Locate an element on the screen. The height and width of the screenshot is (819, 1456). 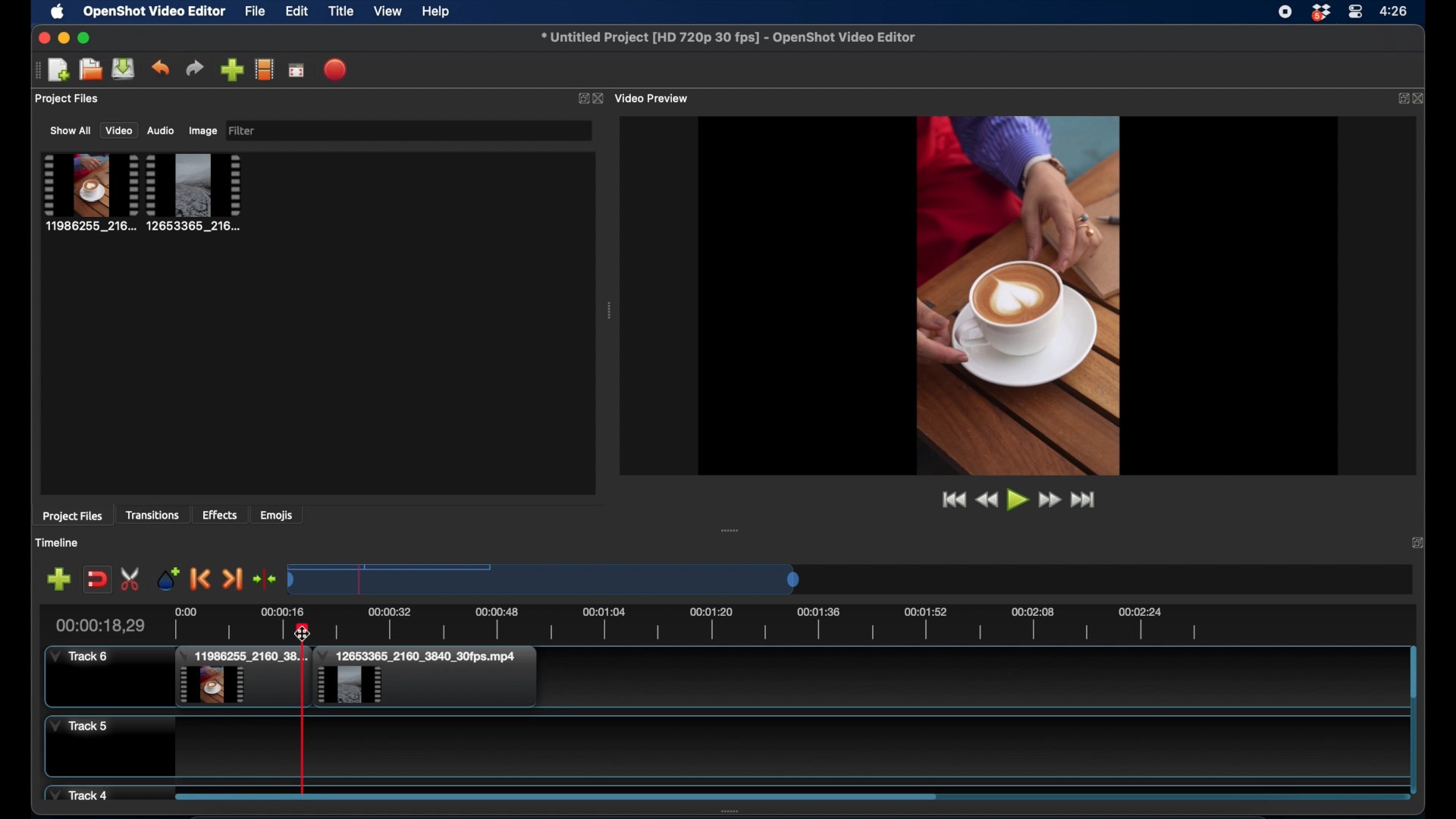
fast forward is located at coordinates (1049, 500).